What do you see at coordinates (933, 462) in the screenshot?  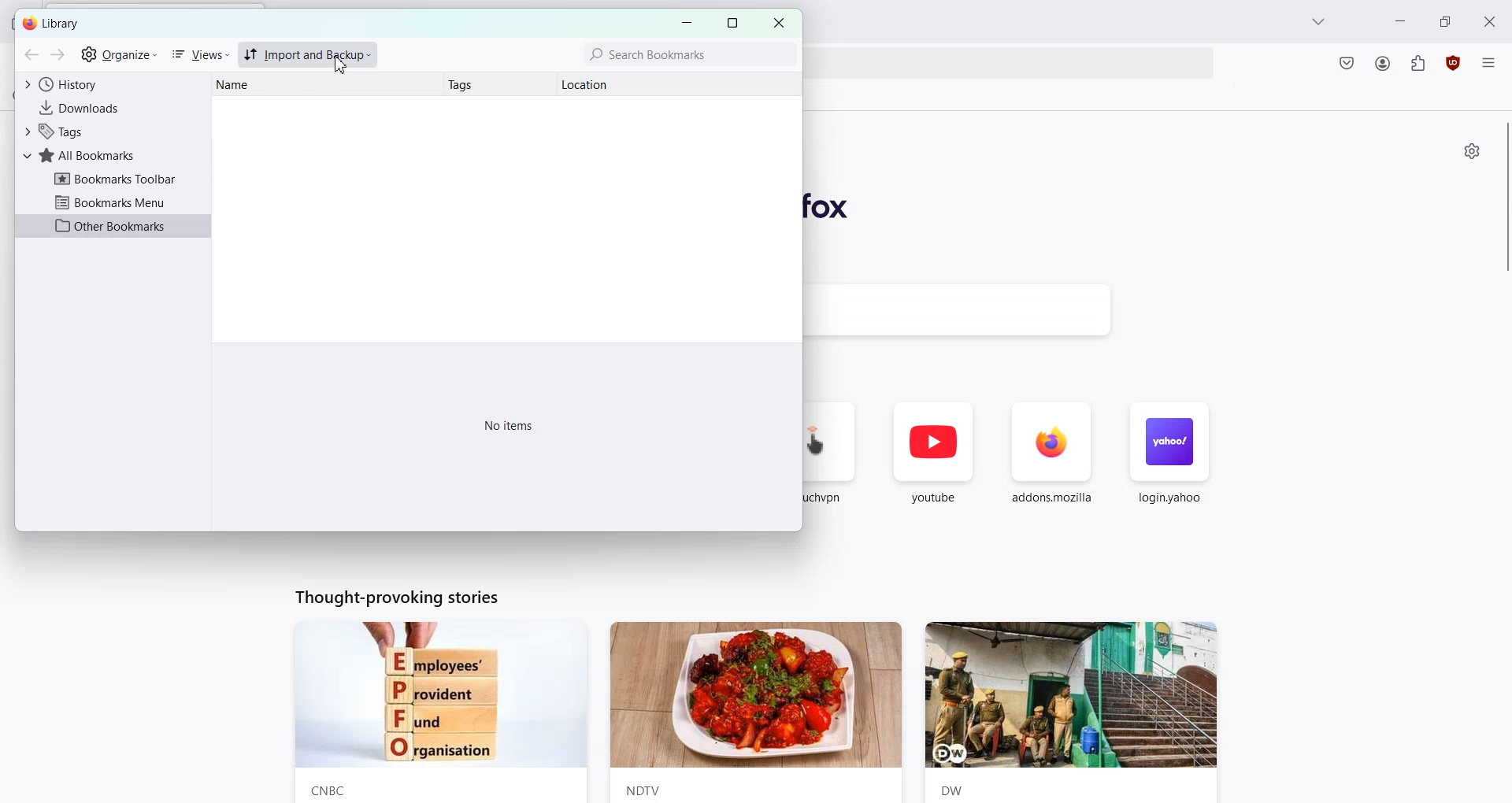 I see `youtube` at bounding box center [933, 462].